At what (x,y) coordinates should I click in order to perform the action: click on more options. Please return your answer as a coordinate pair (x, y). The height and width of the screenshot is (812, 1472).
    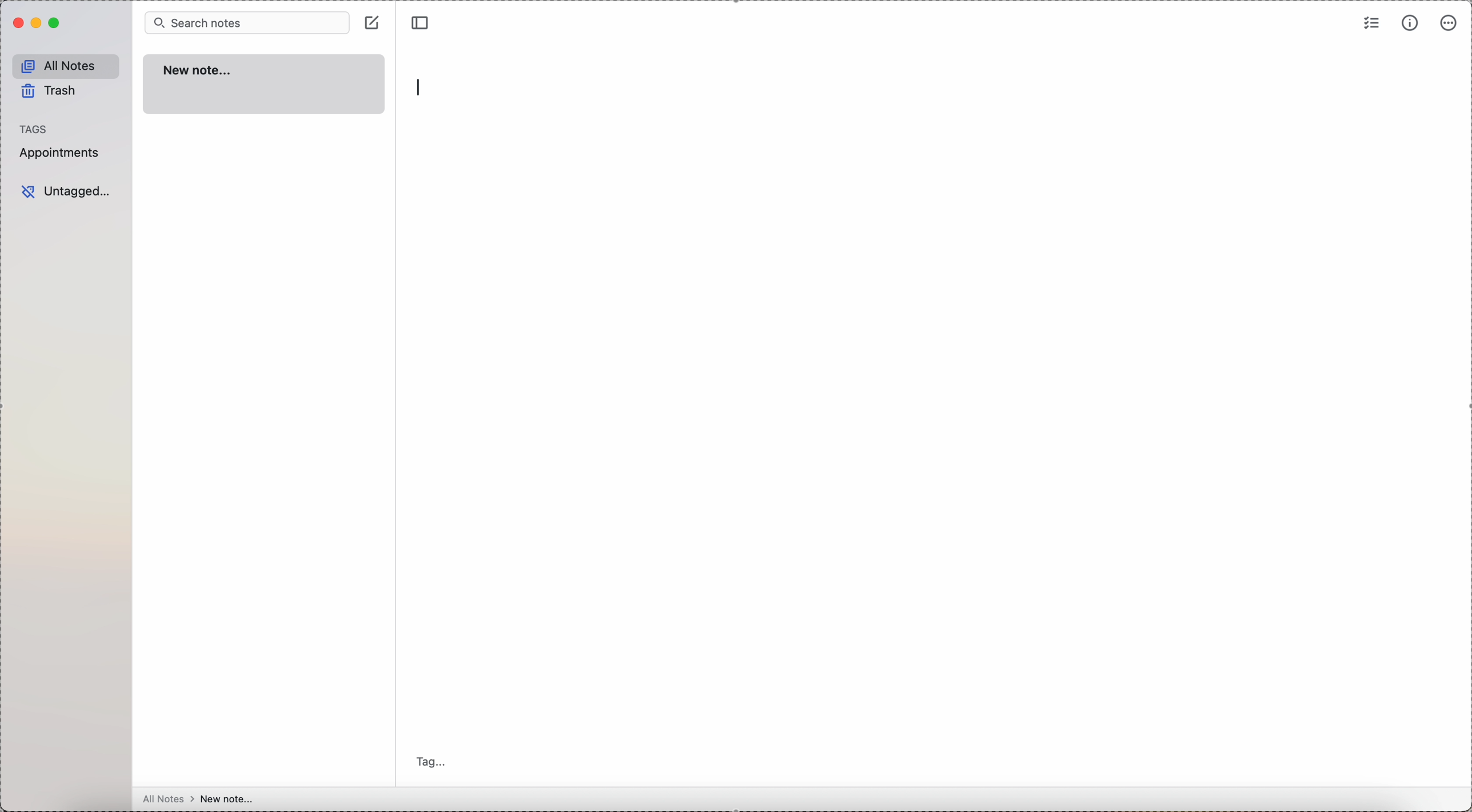
    Looking at the image, I should click on (1449, 23).